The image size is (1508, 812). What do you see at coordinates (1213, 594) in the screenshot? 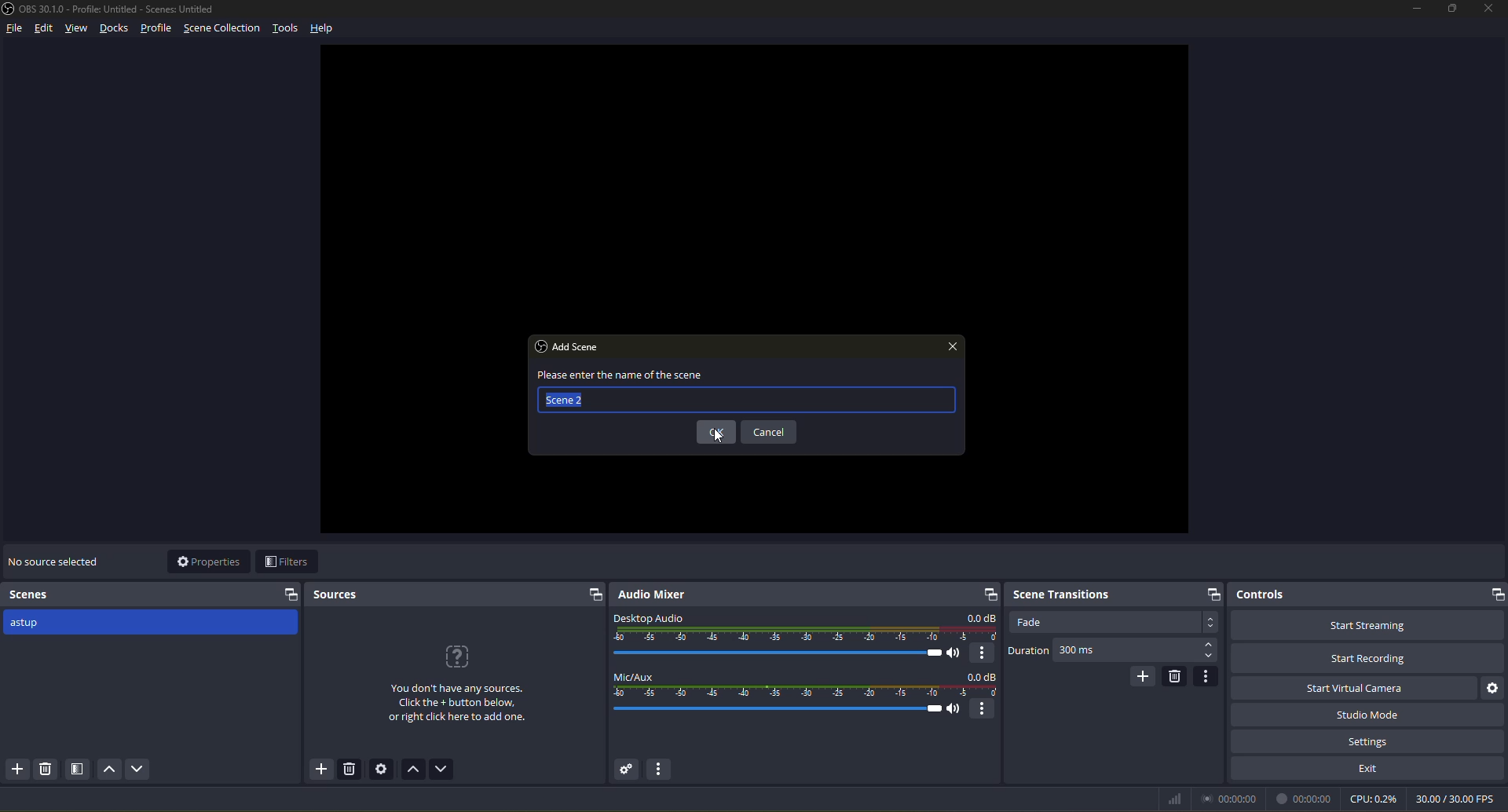
I see `expand` at bounding box center [1213, 594].